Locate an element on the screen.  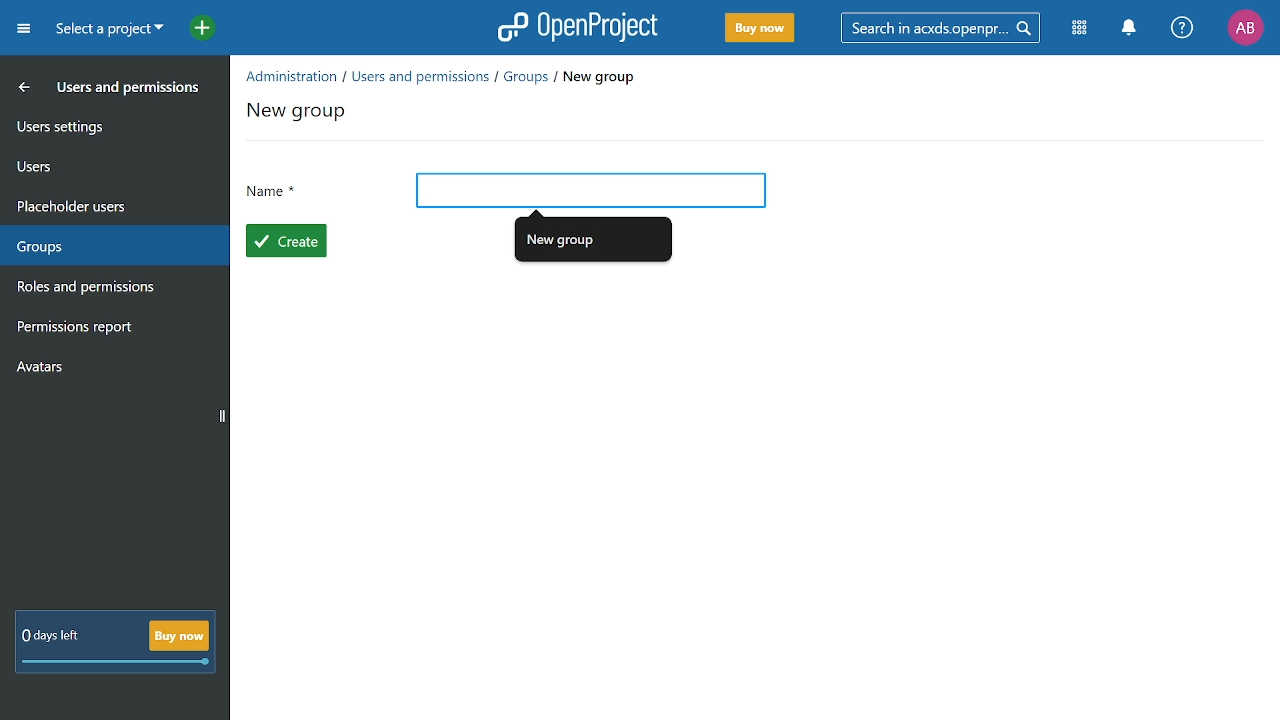
roles and permissions is located at coordinates (106, 288).